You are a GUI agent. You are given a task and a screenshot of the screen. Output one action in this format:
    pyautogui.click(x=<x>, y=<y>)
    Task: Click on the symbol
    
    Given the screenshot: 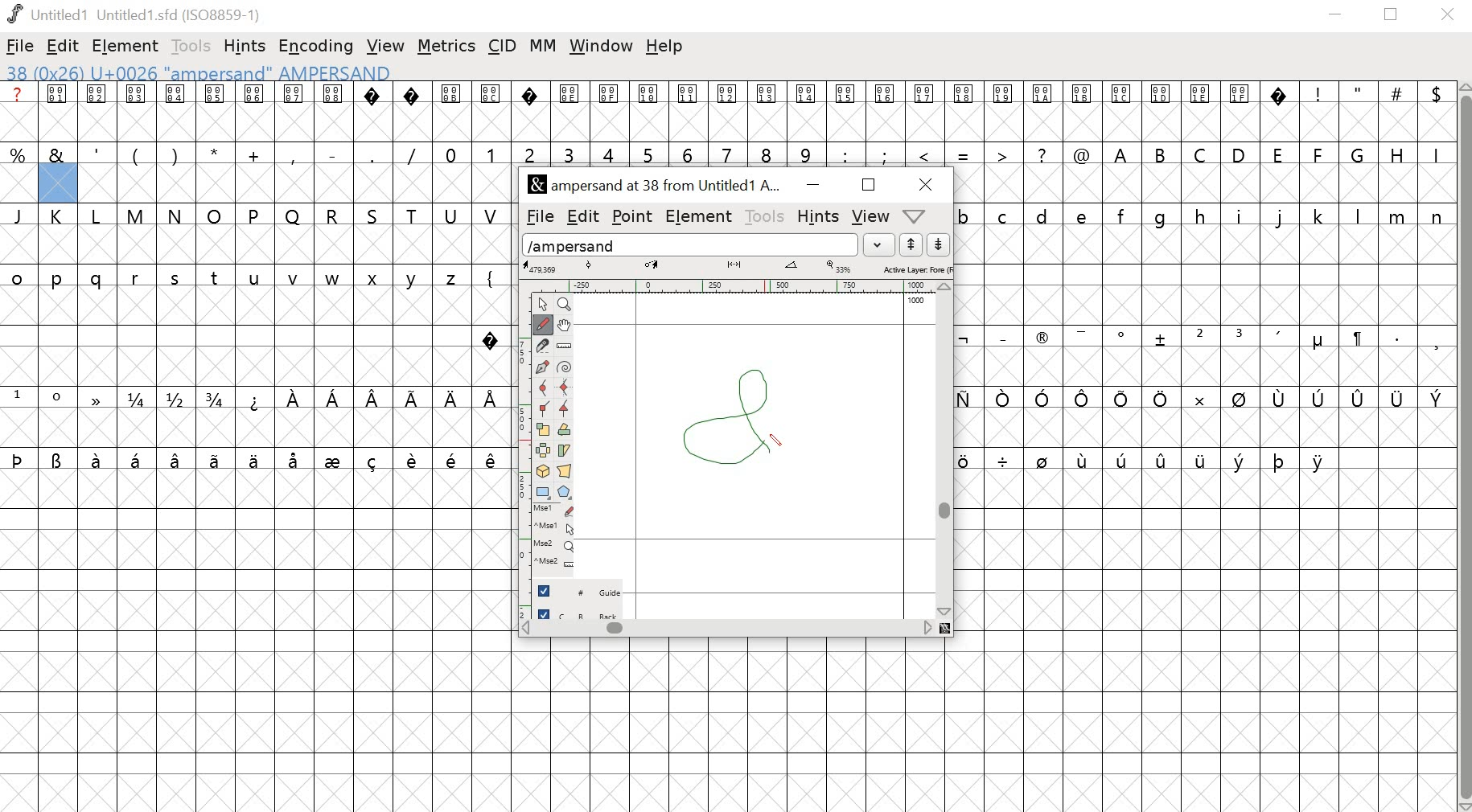 What is the action you would take?
    pyautogui.click(x=1161, y=398)
    